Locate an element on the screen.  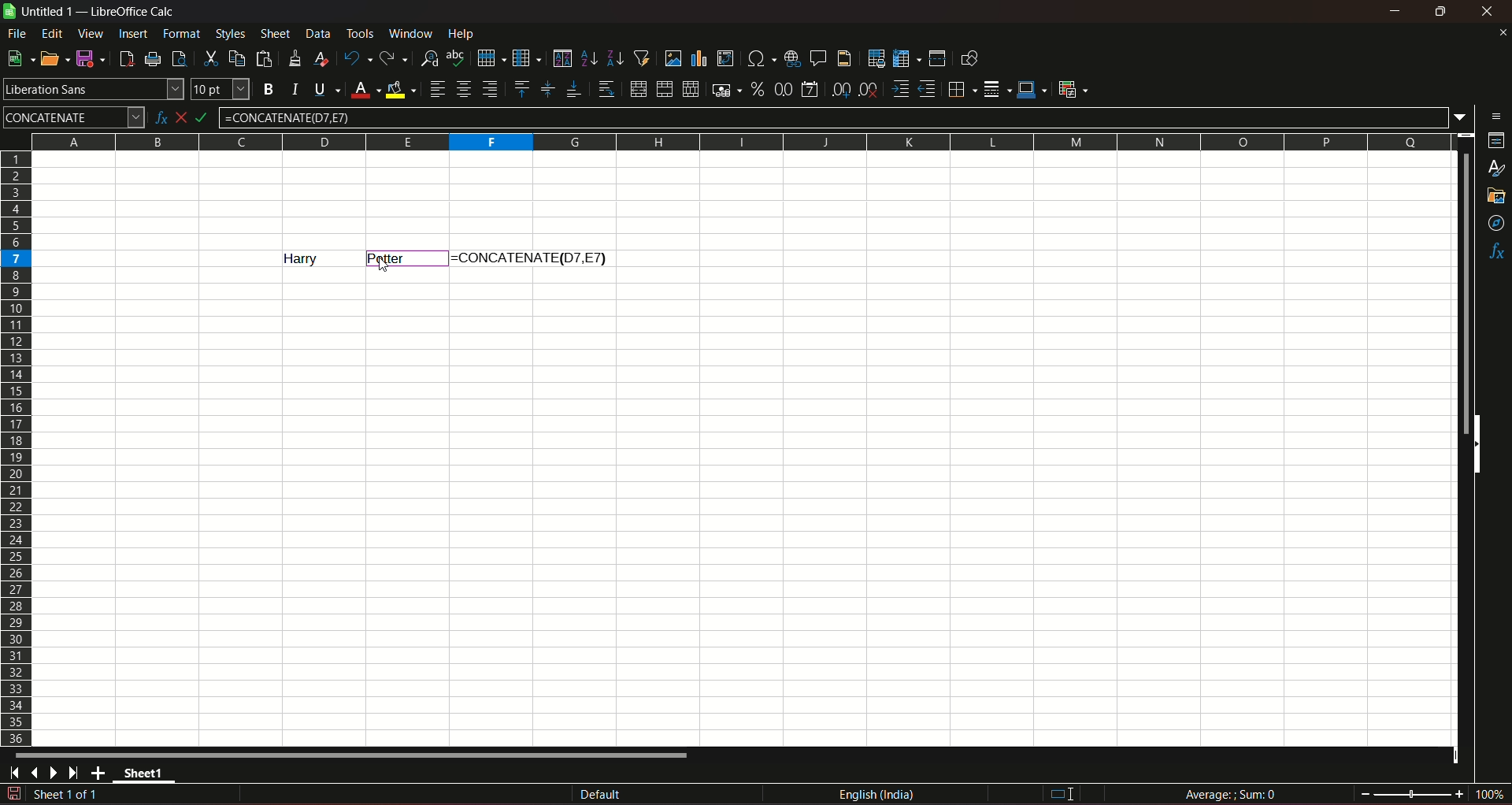
wrap text is located at coordinates (606, 90).